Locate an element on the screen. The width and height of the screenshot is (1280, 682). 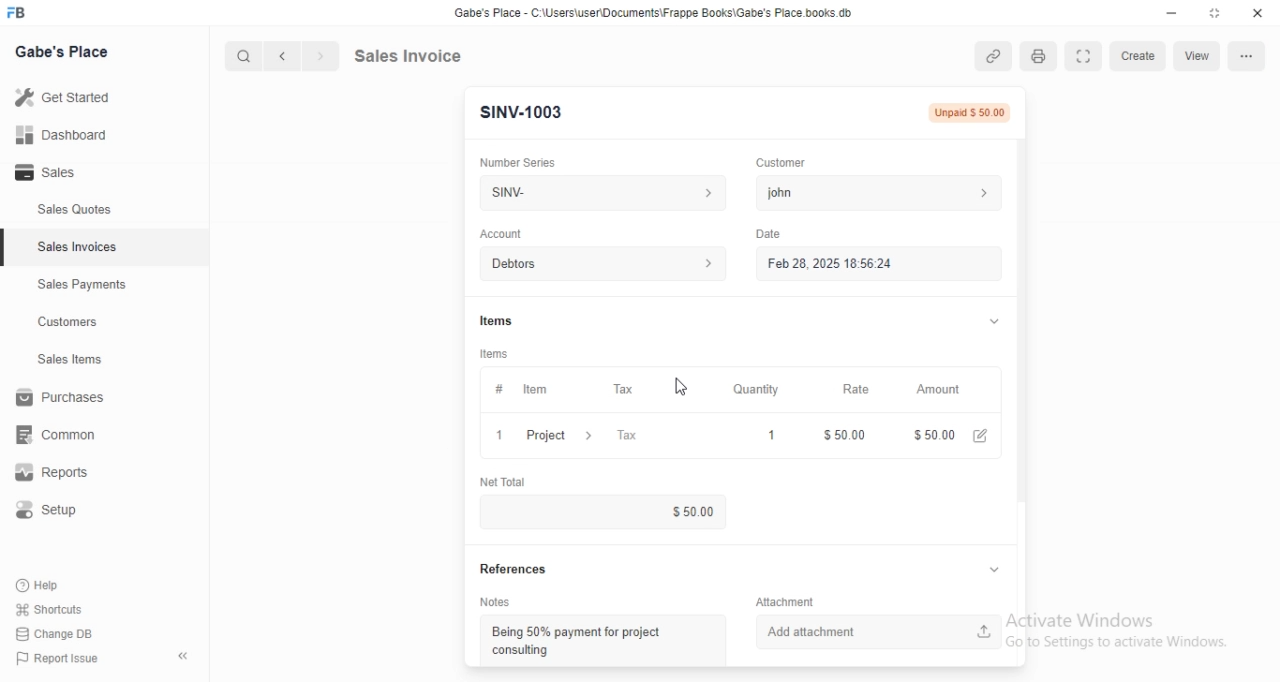
common is located at coordinates (62, 434).